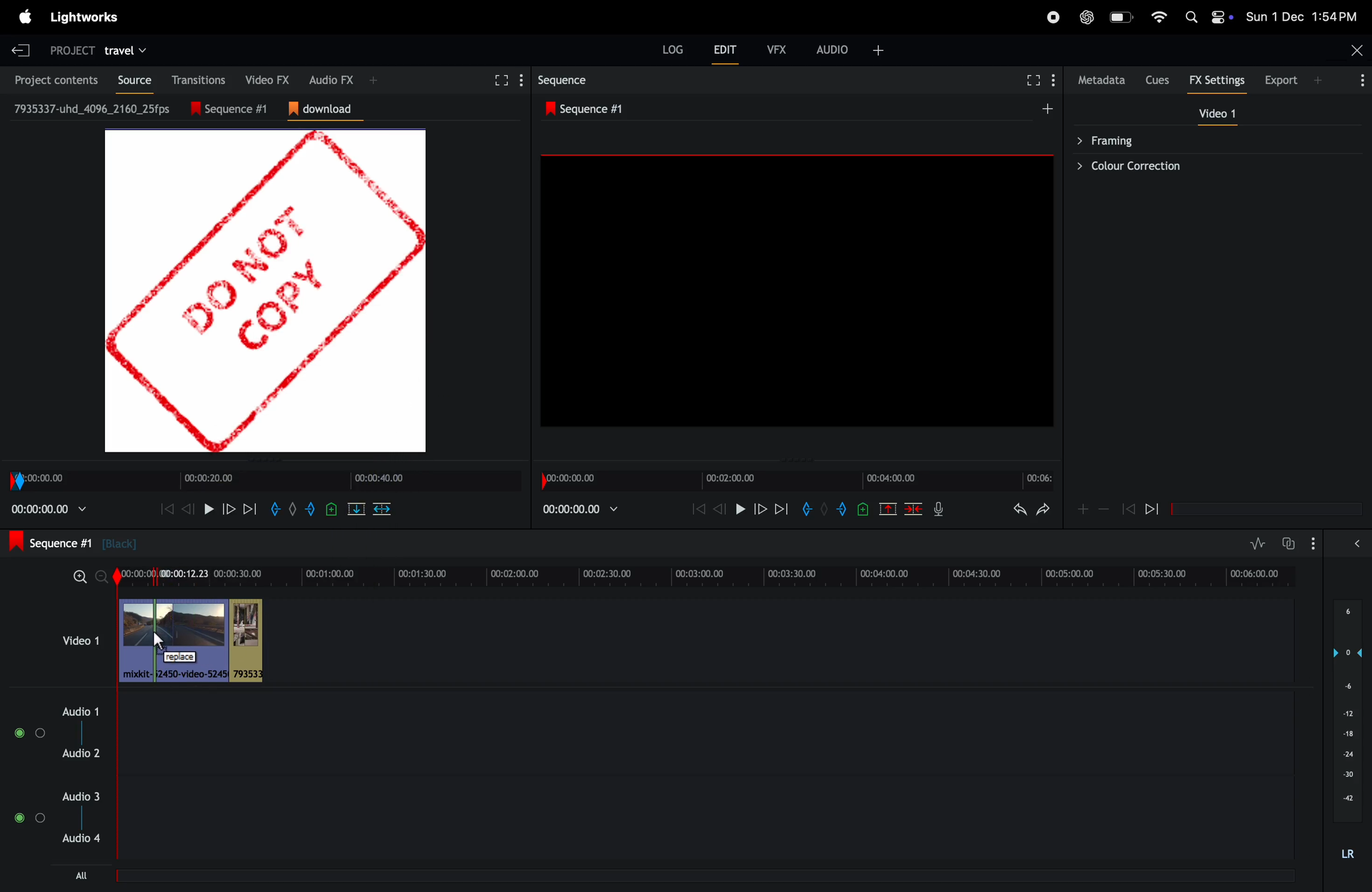 This screenshot has height=892, width=1372. Describe the element at coordinates (1159, 17) in the screenshot. I see `wifi` at that location.